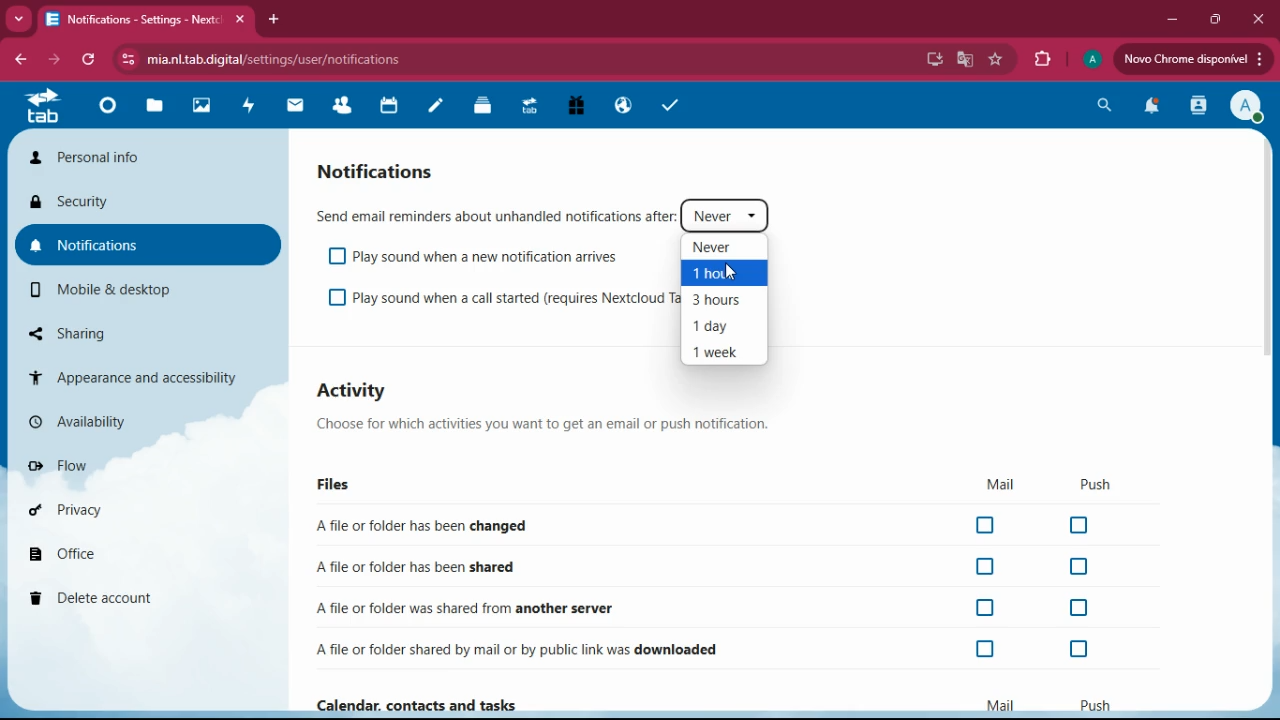 Image resolution: width=1280 pixels, height=720 pixels. I want to click on description, so click(558, 423).